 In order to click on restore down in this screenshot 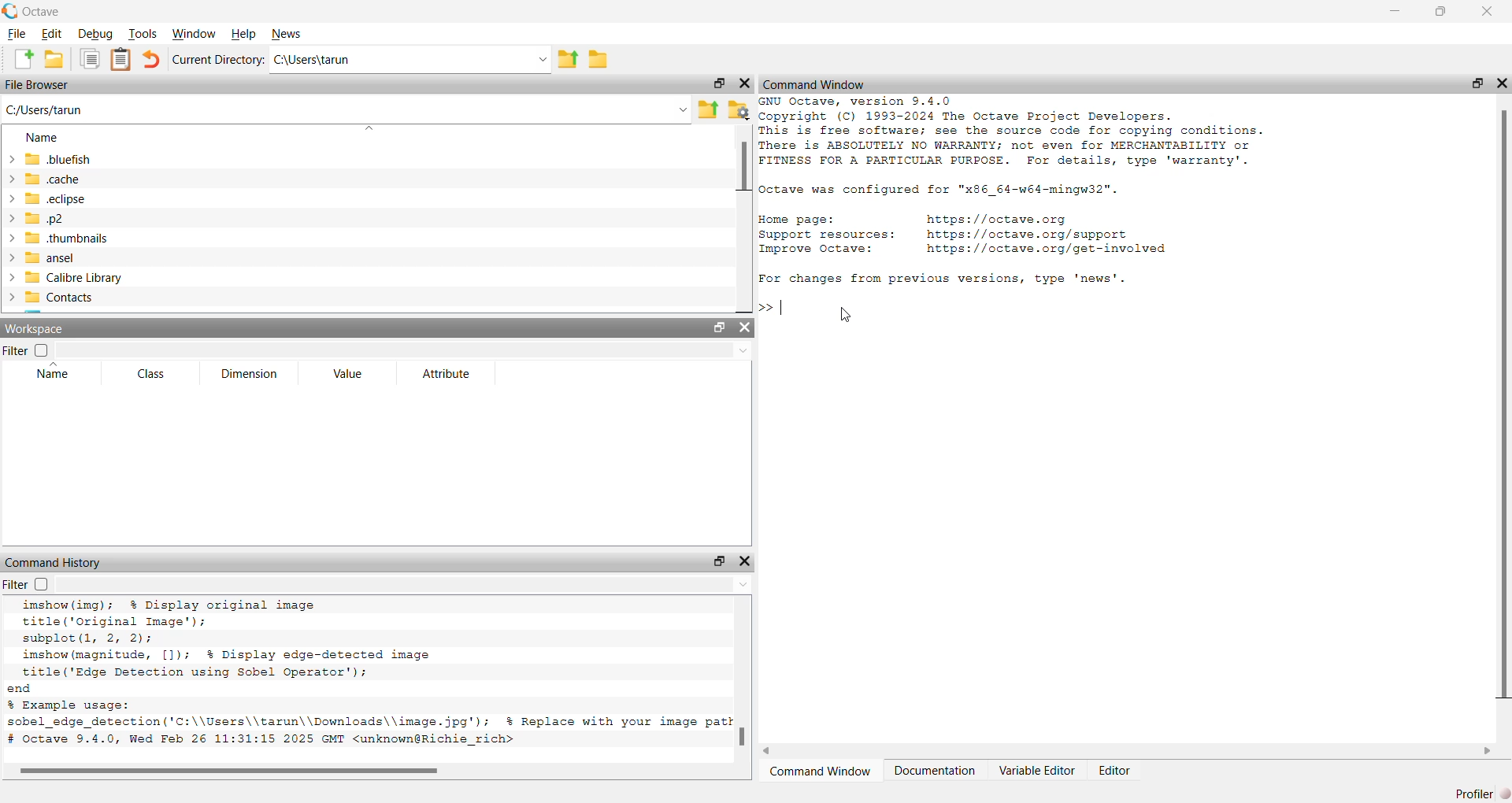, I will do `click(717, 82)`.